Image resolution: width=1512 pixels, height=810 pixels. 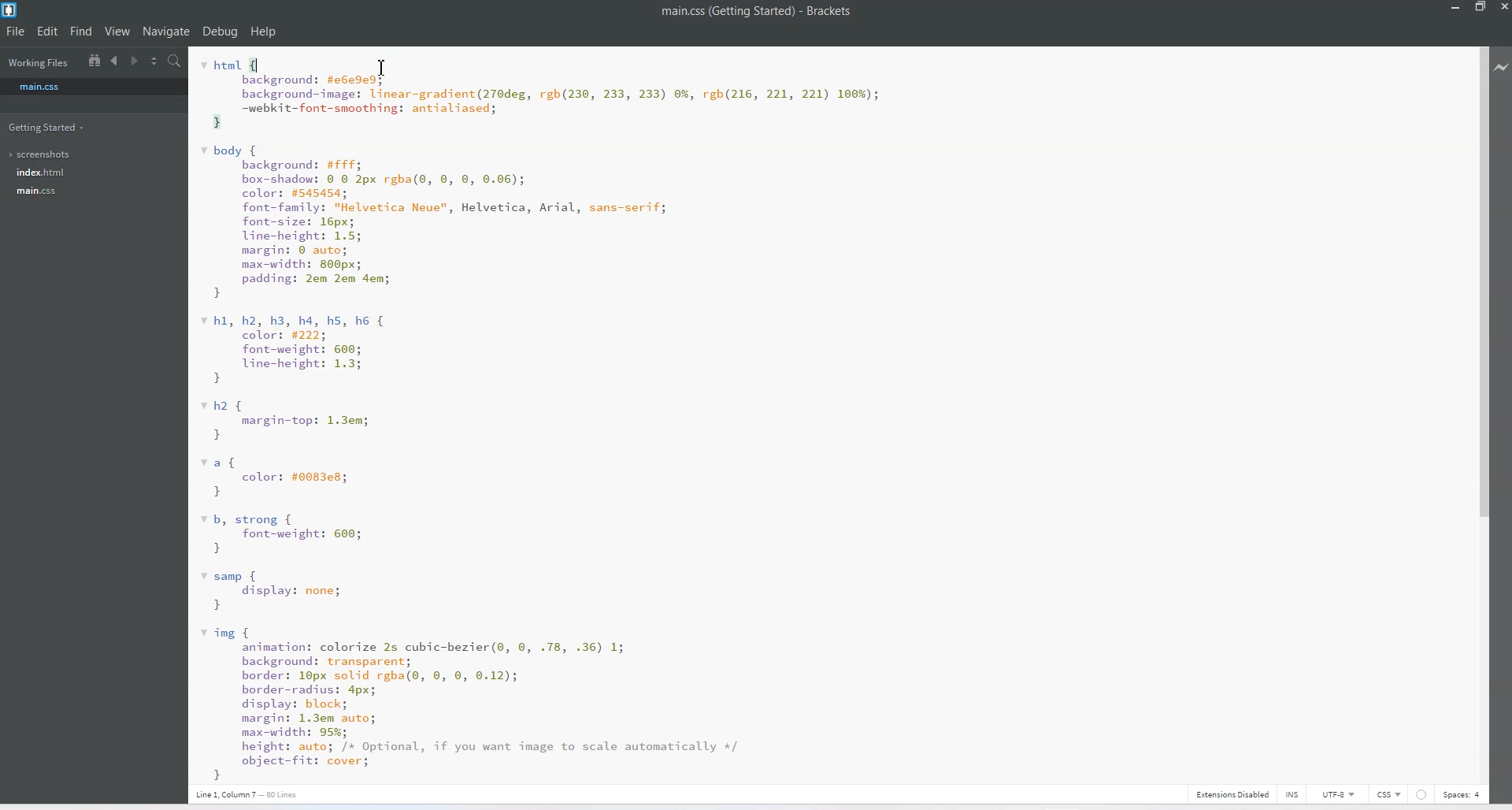 What do you see at coordinates (757, 12) in the screenshot?
I see `Text 1` at bounding box center [757, 12].